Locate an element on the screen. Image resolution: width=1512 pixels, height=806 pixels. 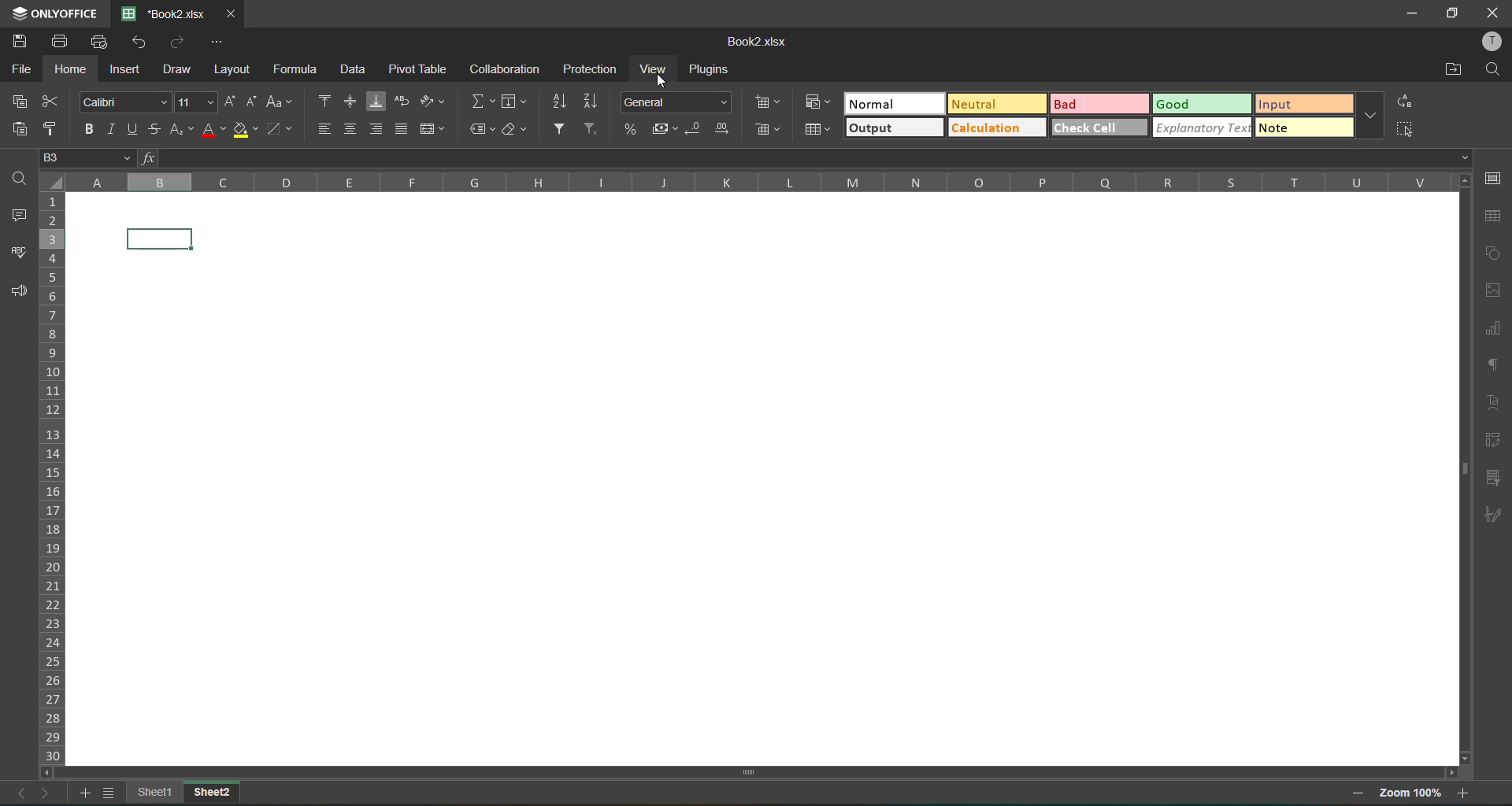
previous is located at coordinates (16, 793).